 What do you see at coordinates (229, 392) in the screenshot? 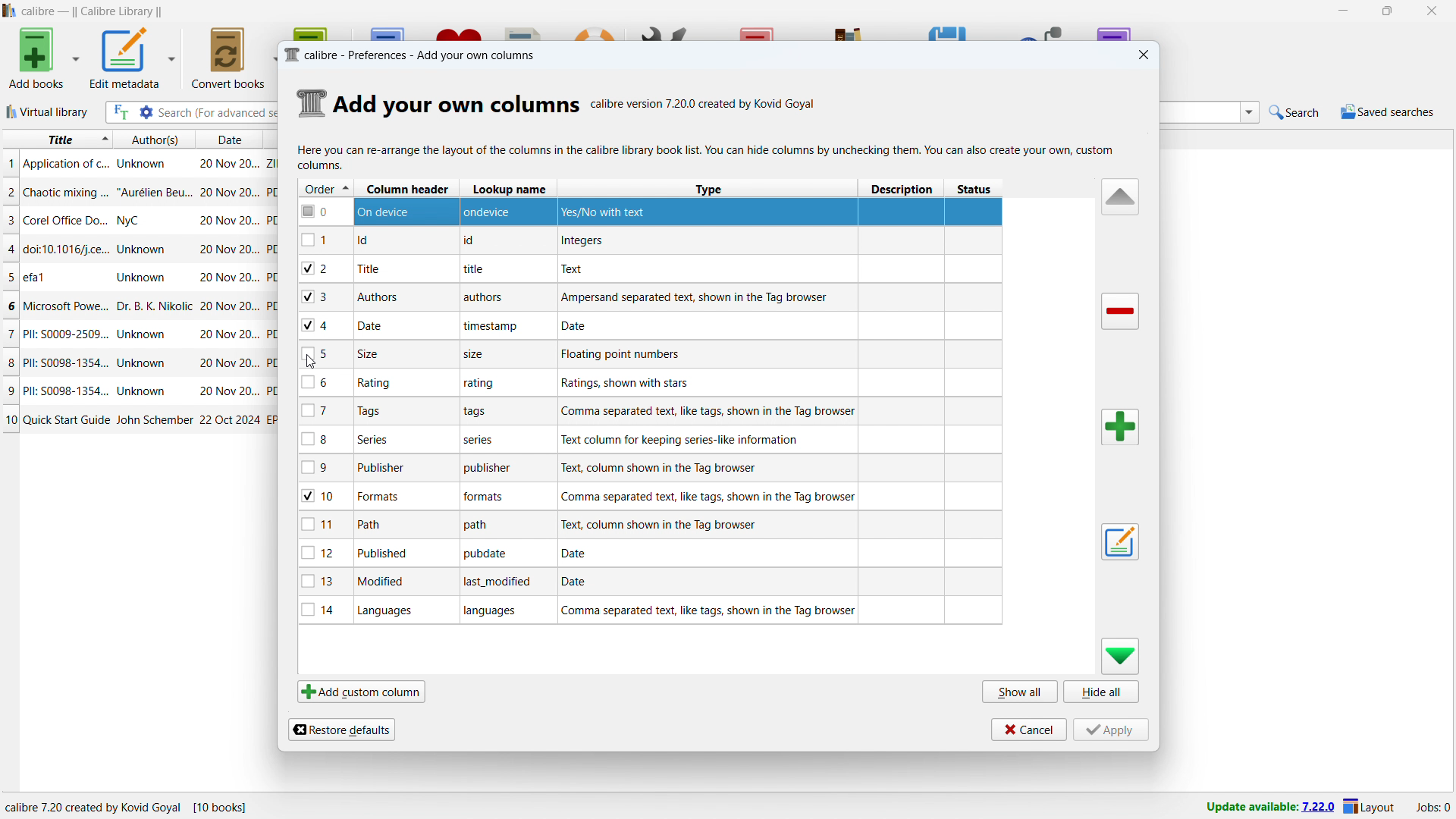
I see `date` at bounding box center [229, 392].